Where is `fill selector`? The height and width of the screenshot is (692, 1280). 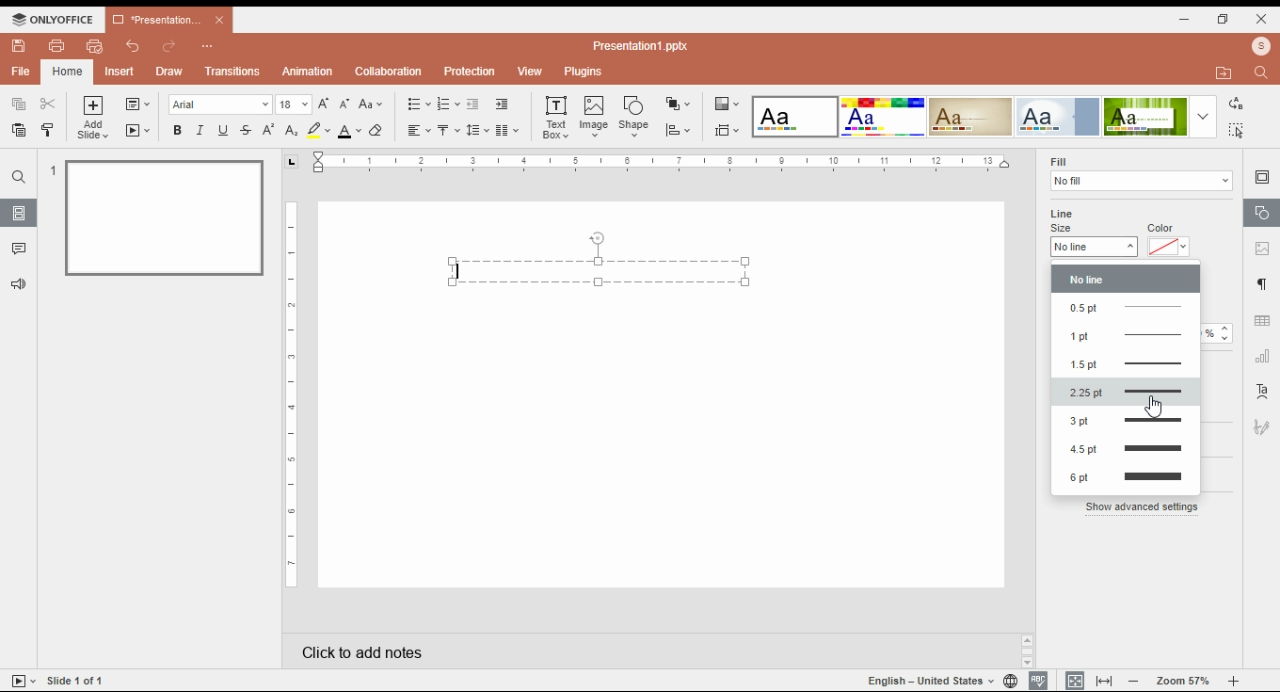 fill selector is located at coordinates (1142, 181).